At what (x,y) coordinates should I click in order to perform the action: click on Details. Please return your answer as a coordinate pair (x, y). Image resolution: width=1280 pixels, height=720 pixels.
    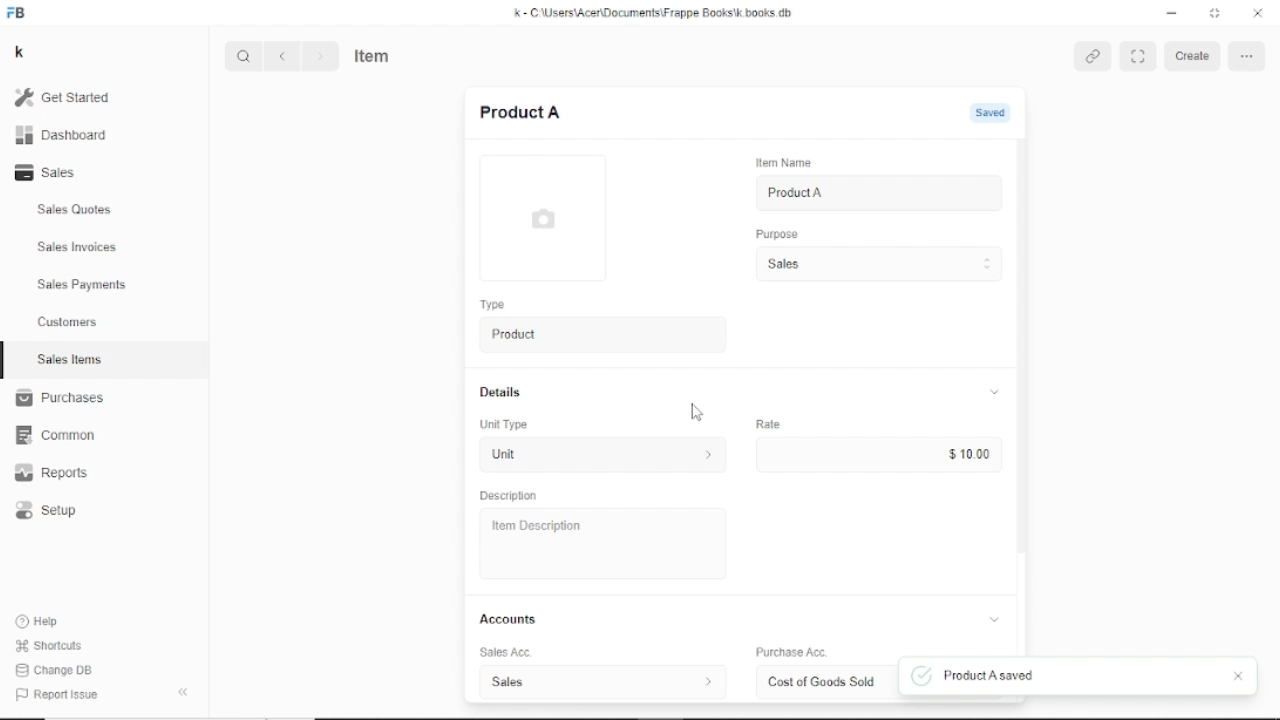
    Looking at the image, I should click on (739, 392).